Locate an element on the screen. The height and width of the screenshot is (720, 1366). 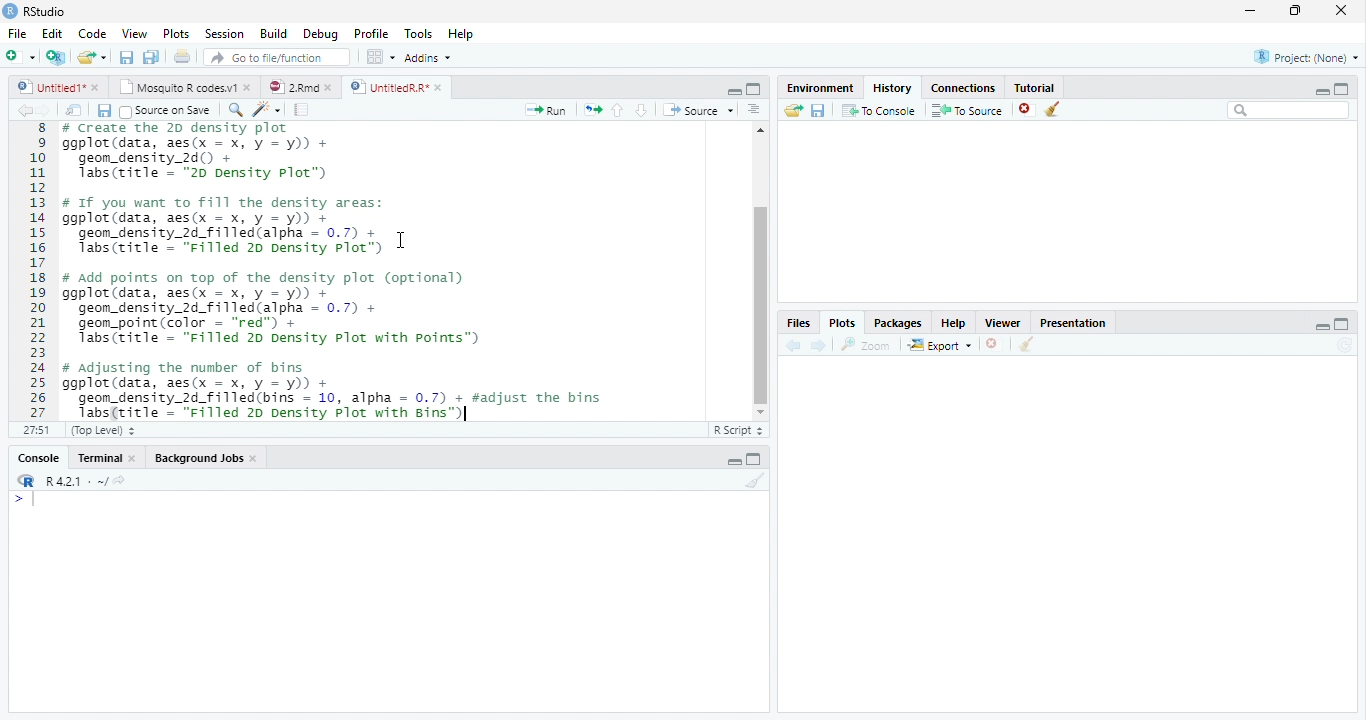
Viewer is located at coordinates (1001, 322).